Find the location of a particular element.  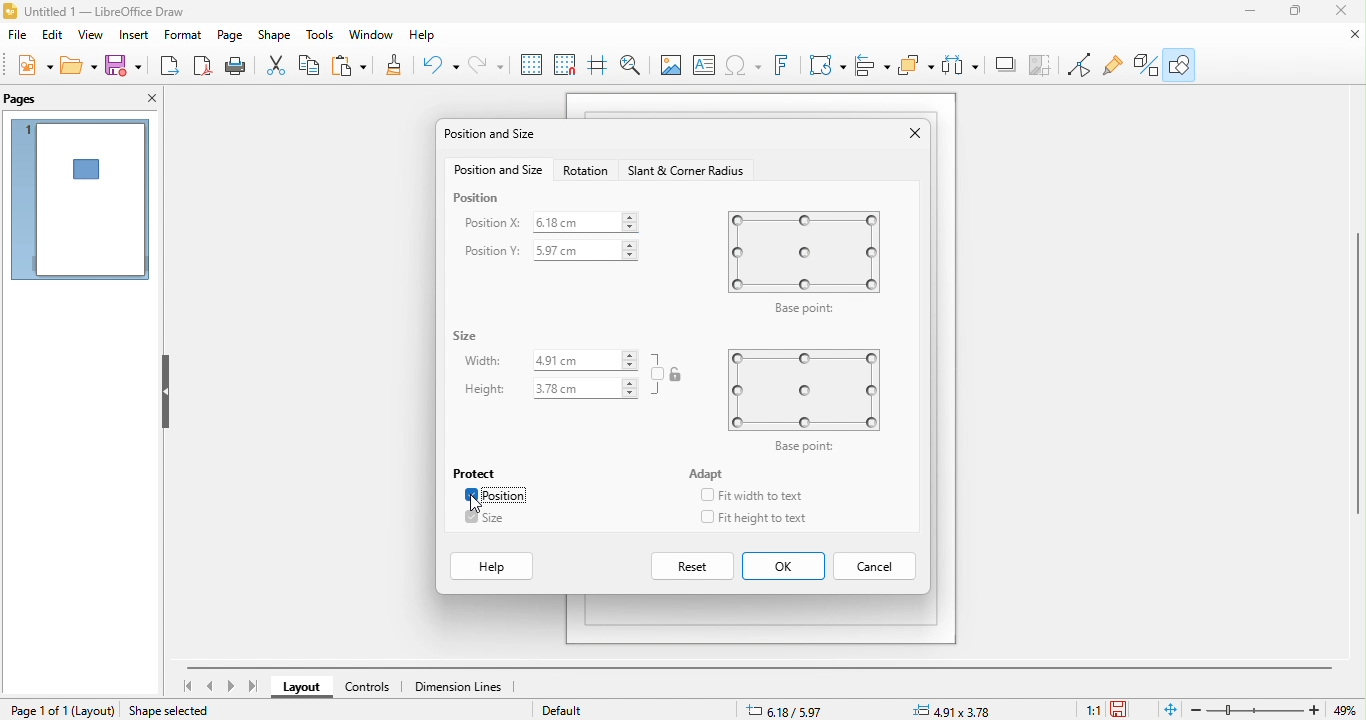

close is located at coordinates (1340, 10).